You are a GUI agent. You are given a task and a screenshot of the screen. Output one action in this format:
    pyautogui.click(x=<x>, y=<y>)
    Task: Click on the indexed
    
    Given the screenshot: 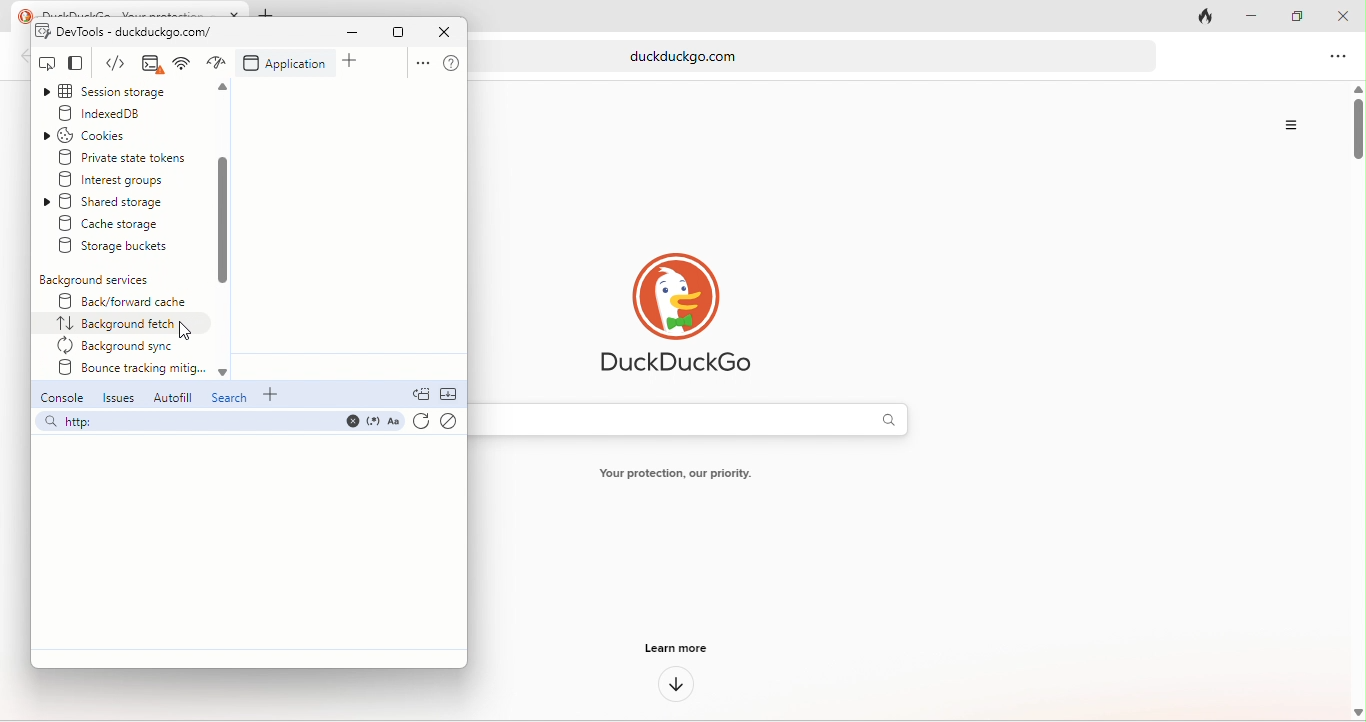 What is the action you would take?
    pyautogui.click(x=122, y=114)
    